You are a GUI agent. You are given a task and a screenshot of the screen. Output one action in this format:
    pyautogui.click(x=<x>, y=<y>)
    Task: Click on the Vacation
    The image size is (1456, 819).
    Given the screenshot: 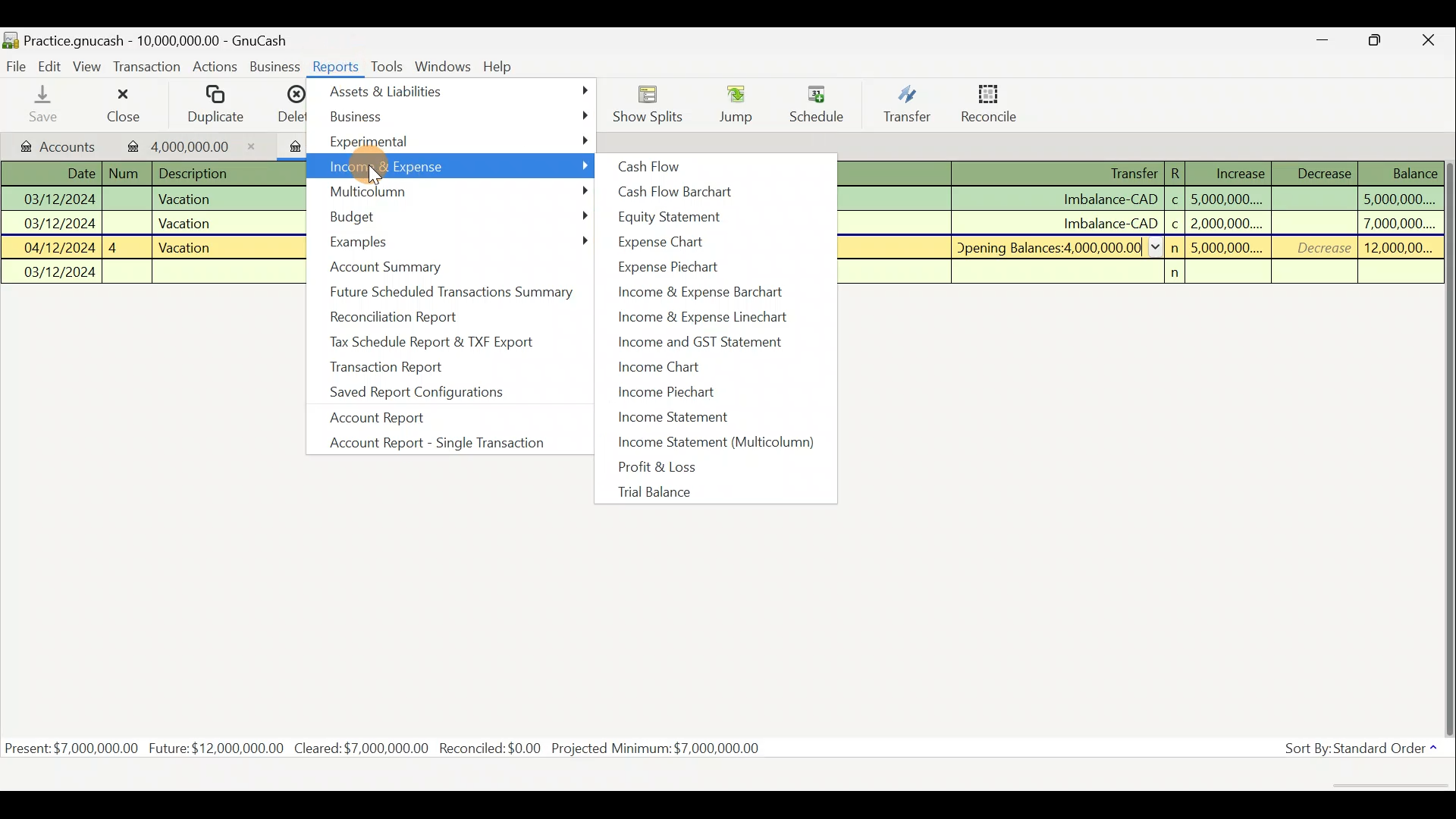 What is the action you would take?
    pyautogui.click(x=185, y=198)
    